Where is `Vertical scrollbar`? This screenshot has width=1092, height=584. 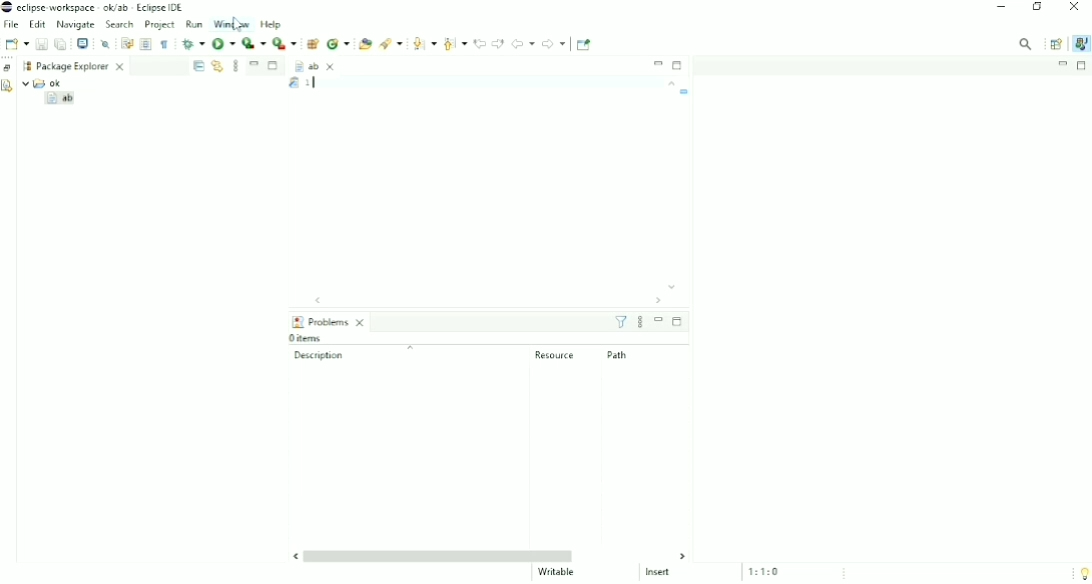
Vertical scrollbar is located at coordinates (671, 186).